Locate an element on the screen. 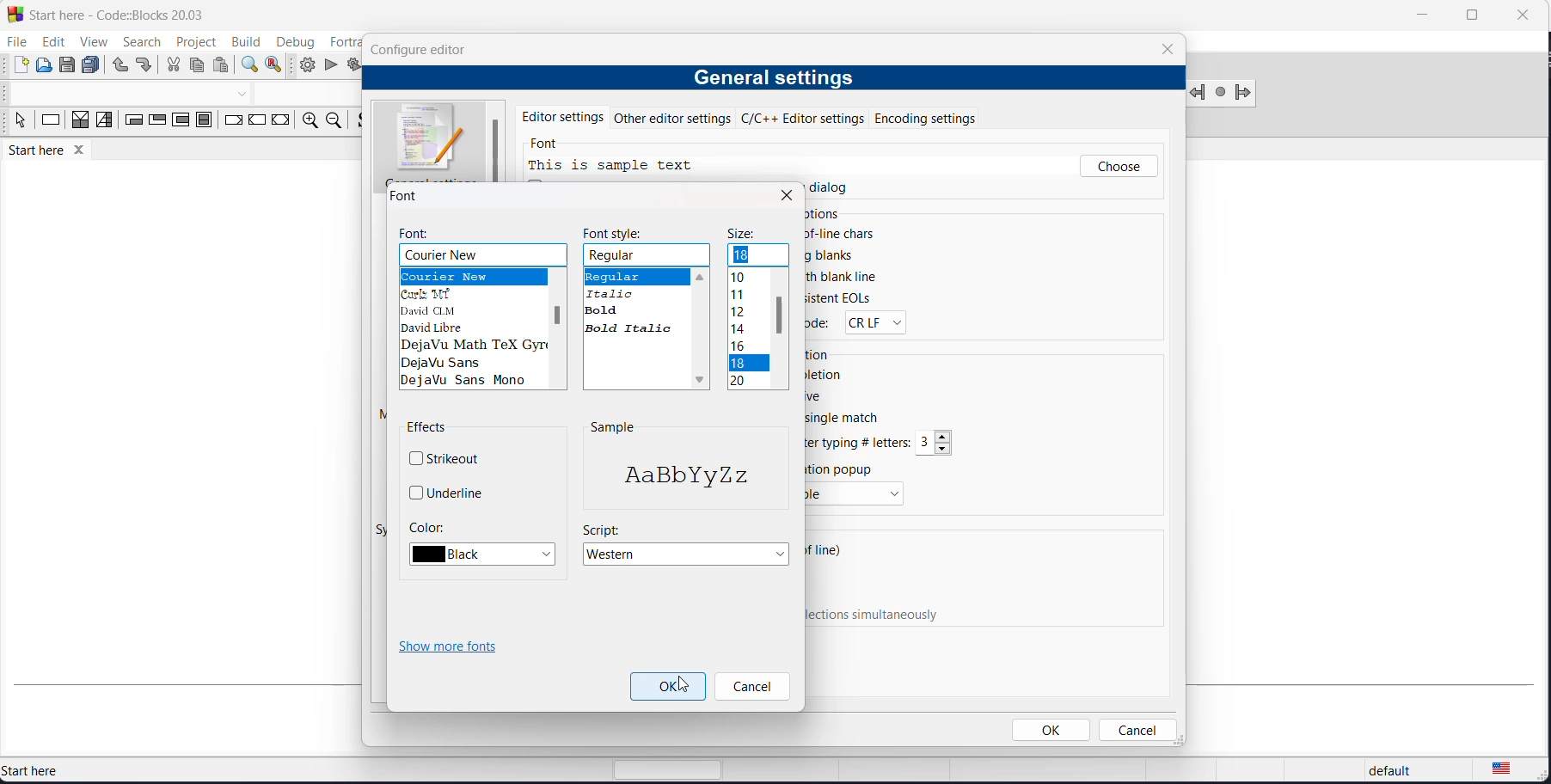 This screenshot has width=1551, height=784. general settings is located at coordinates (772, 79).